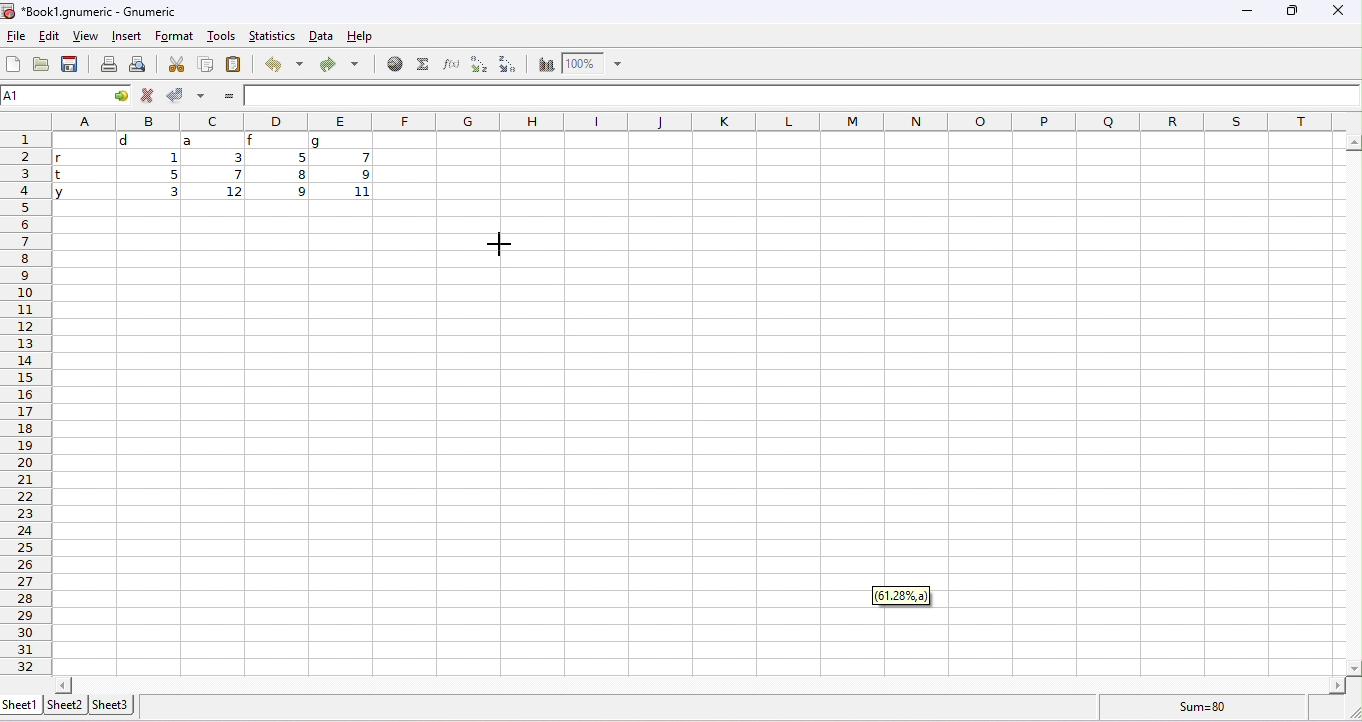  What do you see at coordinates (1198, 707) in the screenshot?
I see `formula` at bounding box center [1198, 707].